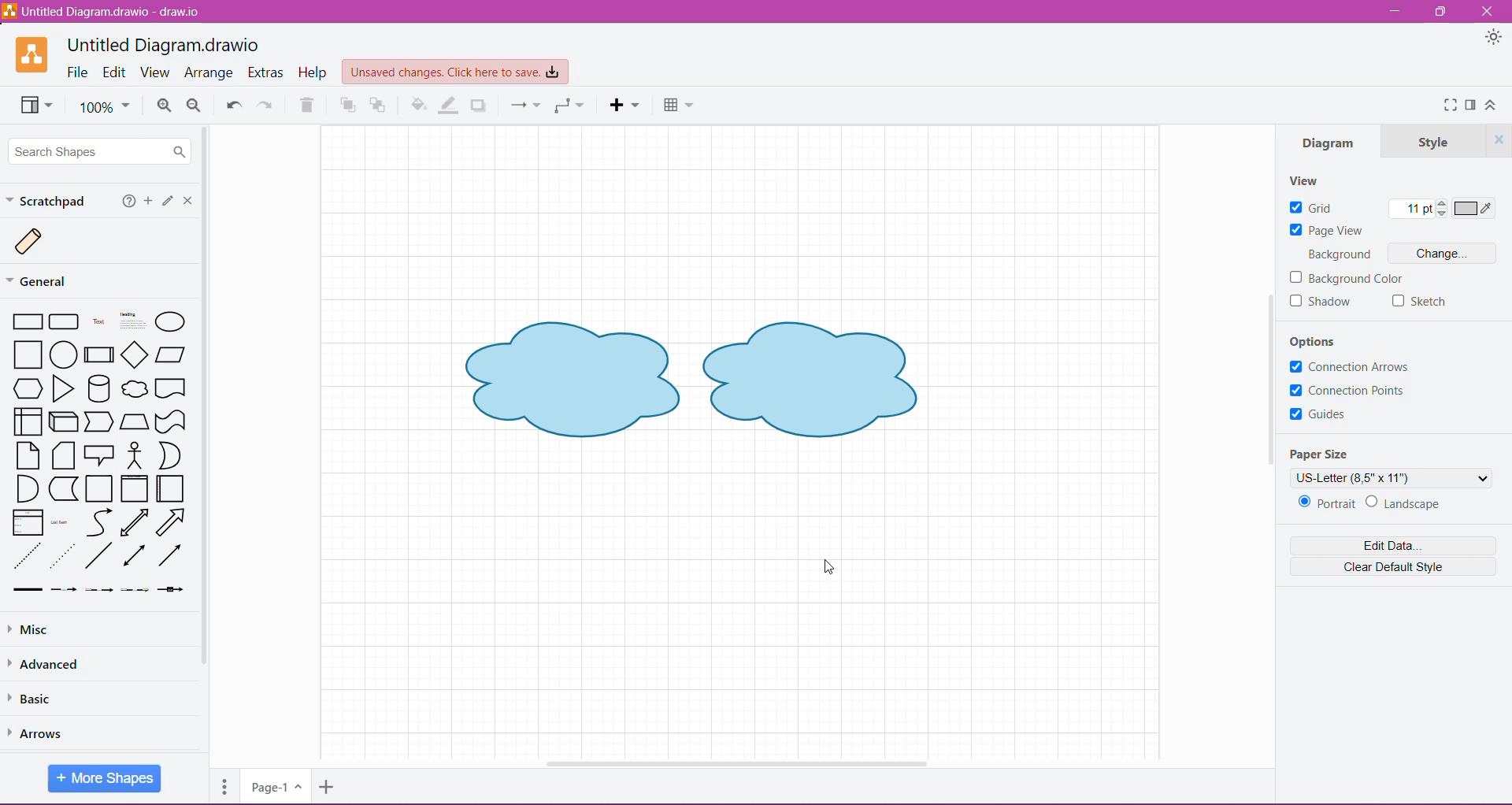  What do you see at coordinates (1493, 39) in the screenshot?
I see `Appearance` at bounding box center [1493, 39].